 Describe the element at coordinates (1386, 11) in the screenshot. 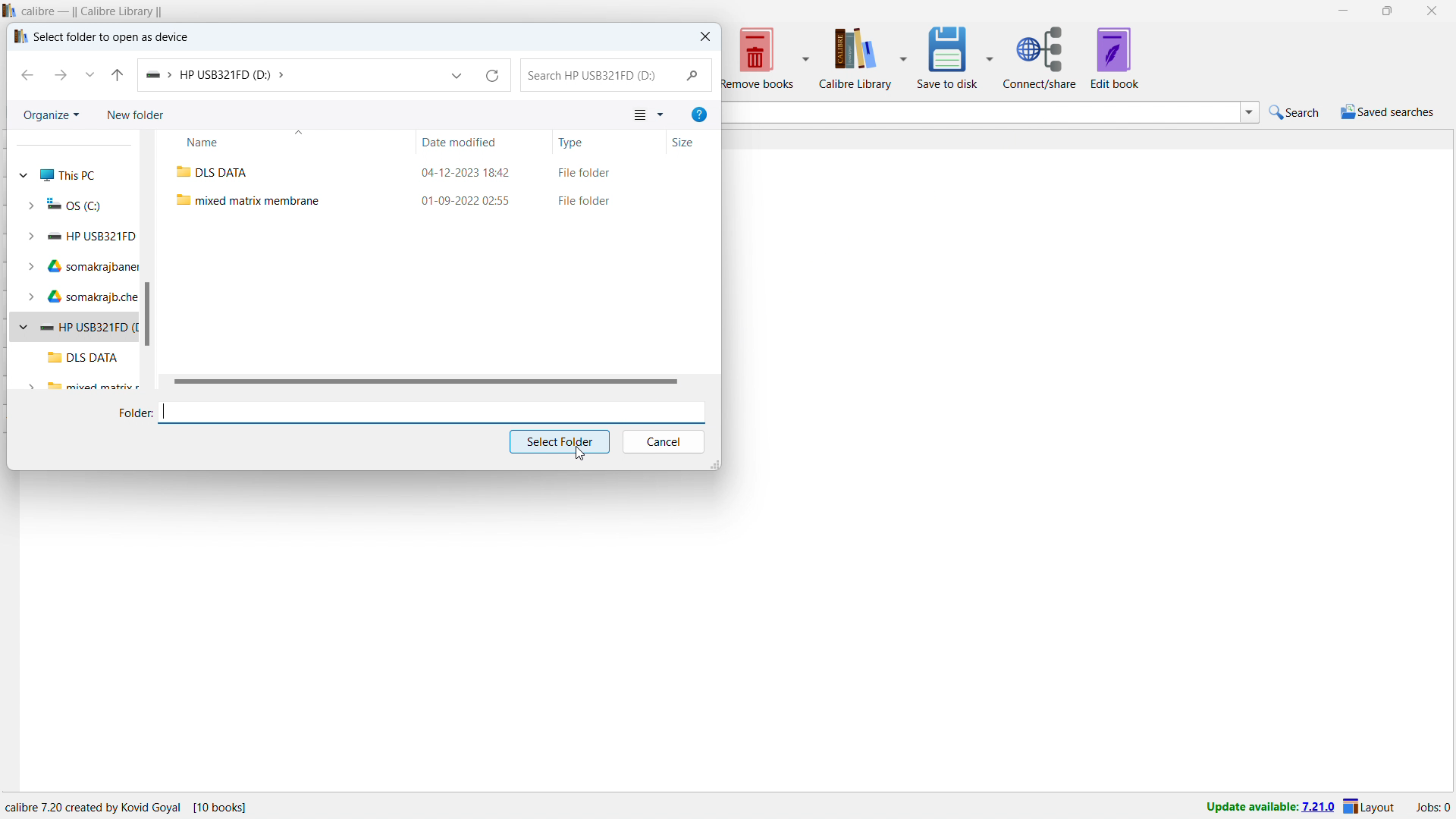

I see `maximize` at that location.